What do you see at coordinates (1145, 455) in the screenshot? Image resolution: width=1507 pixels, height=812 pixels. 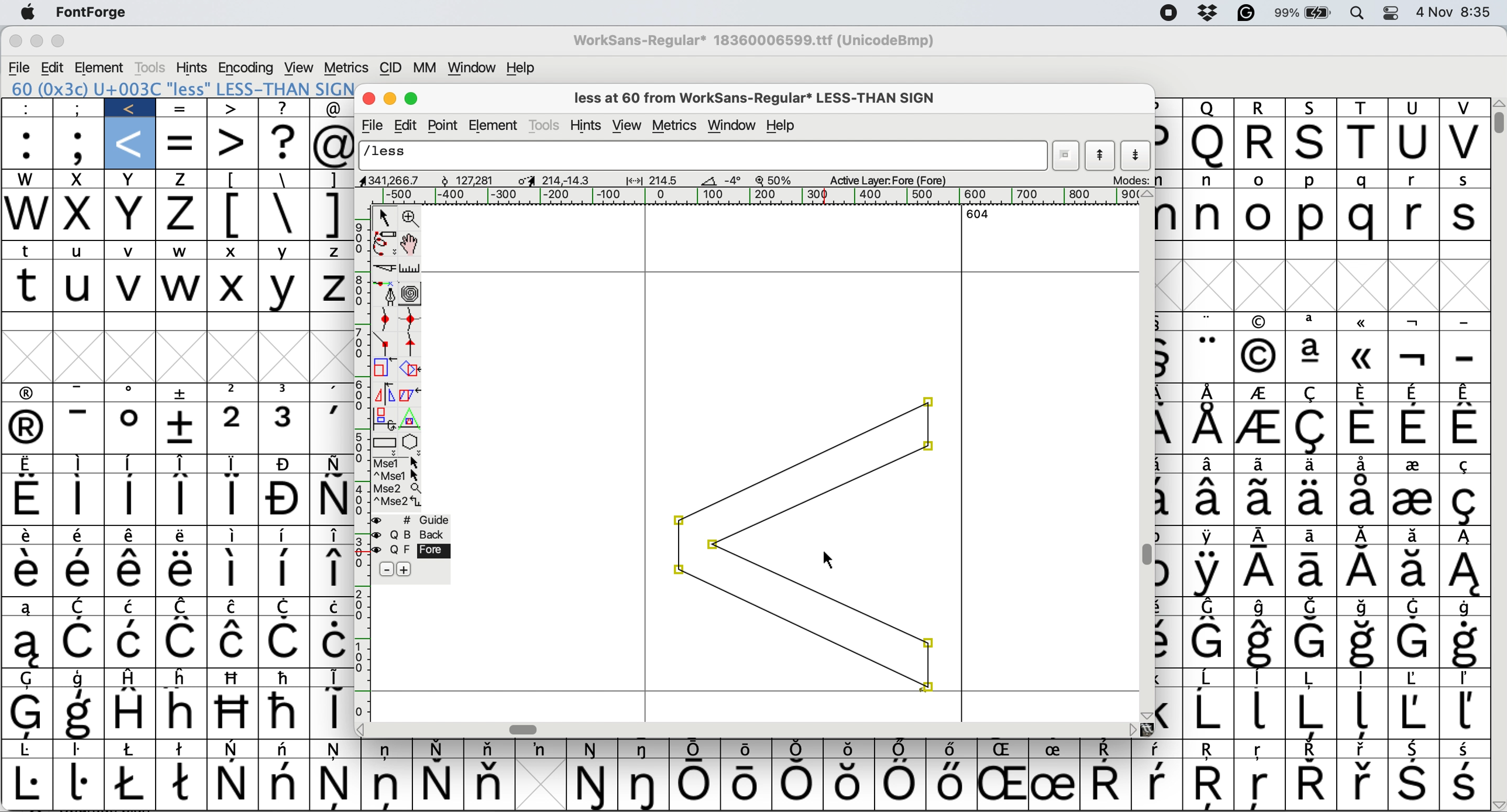 I see `vertical scroll bar` at bounding box center [1145, 455].